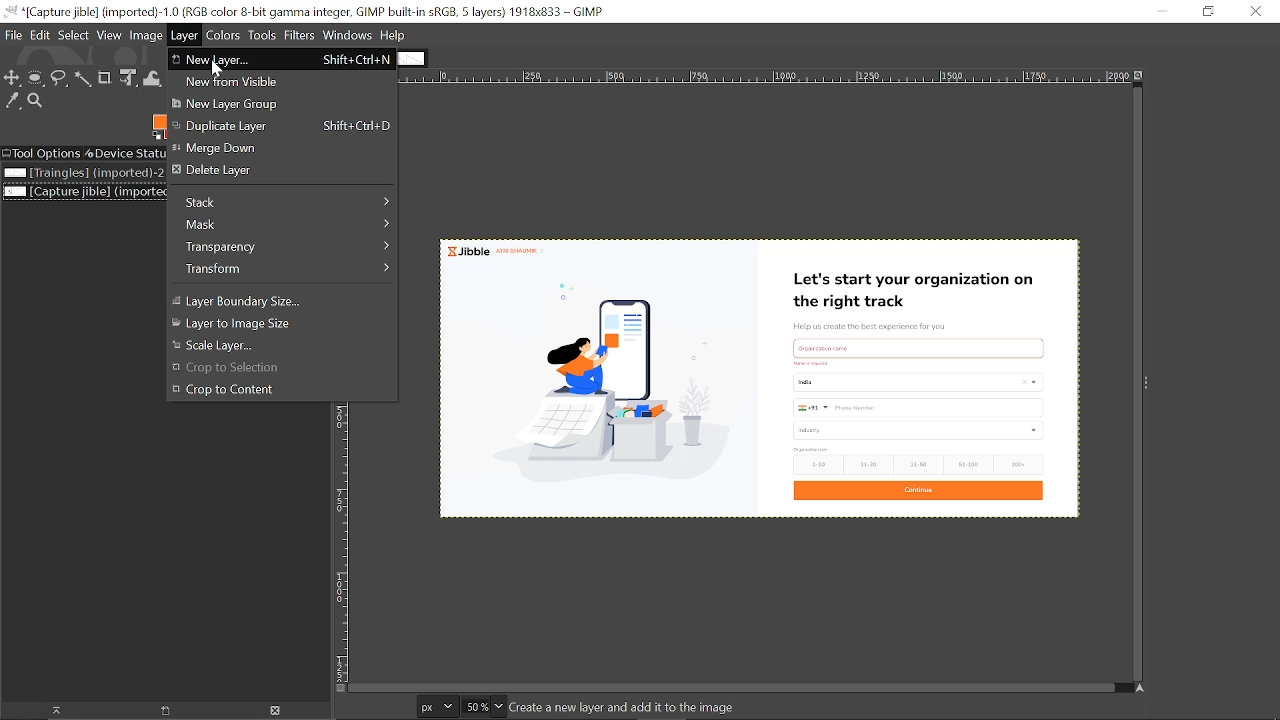 The image size is (1280, 720). Describe the element at coordinates (408, 59) in the screenshot. I see `Other tab` at that location.